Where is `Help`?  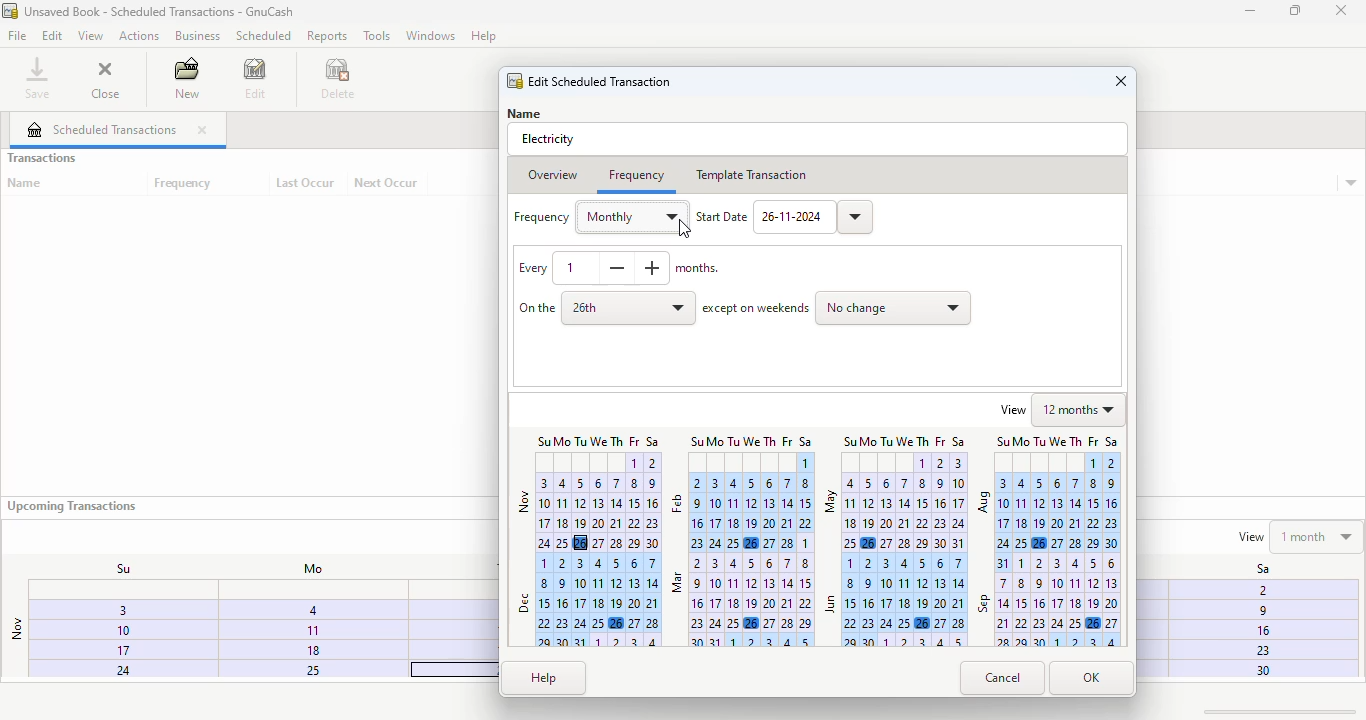
Help is located at coordinates (487, 35).